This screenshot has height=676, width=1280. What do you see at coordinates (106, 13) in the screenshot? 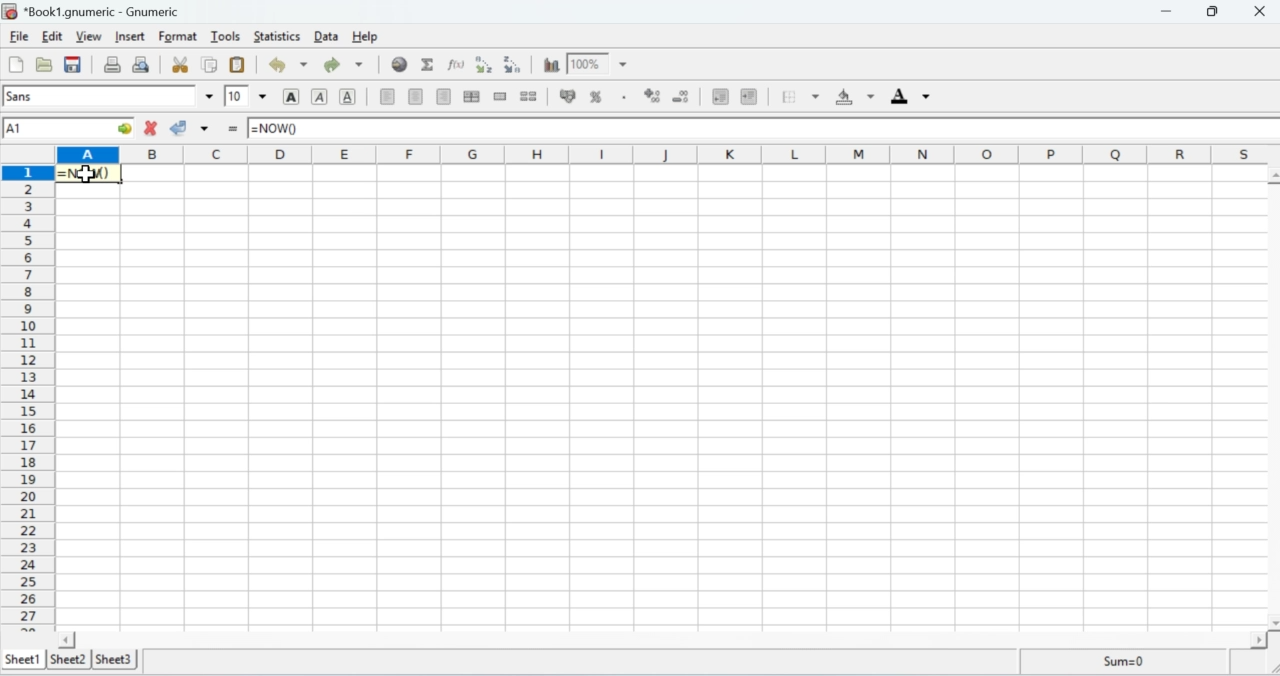
I see `Book1.gnumeric - Gnumeric` at bounding box center [106, 13].